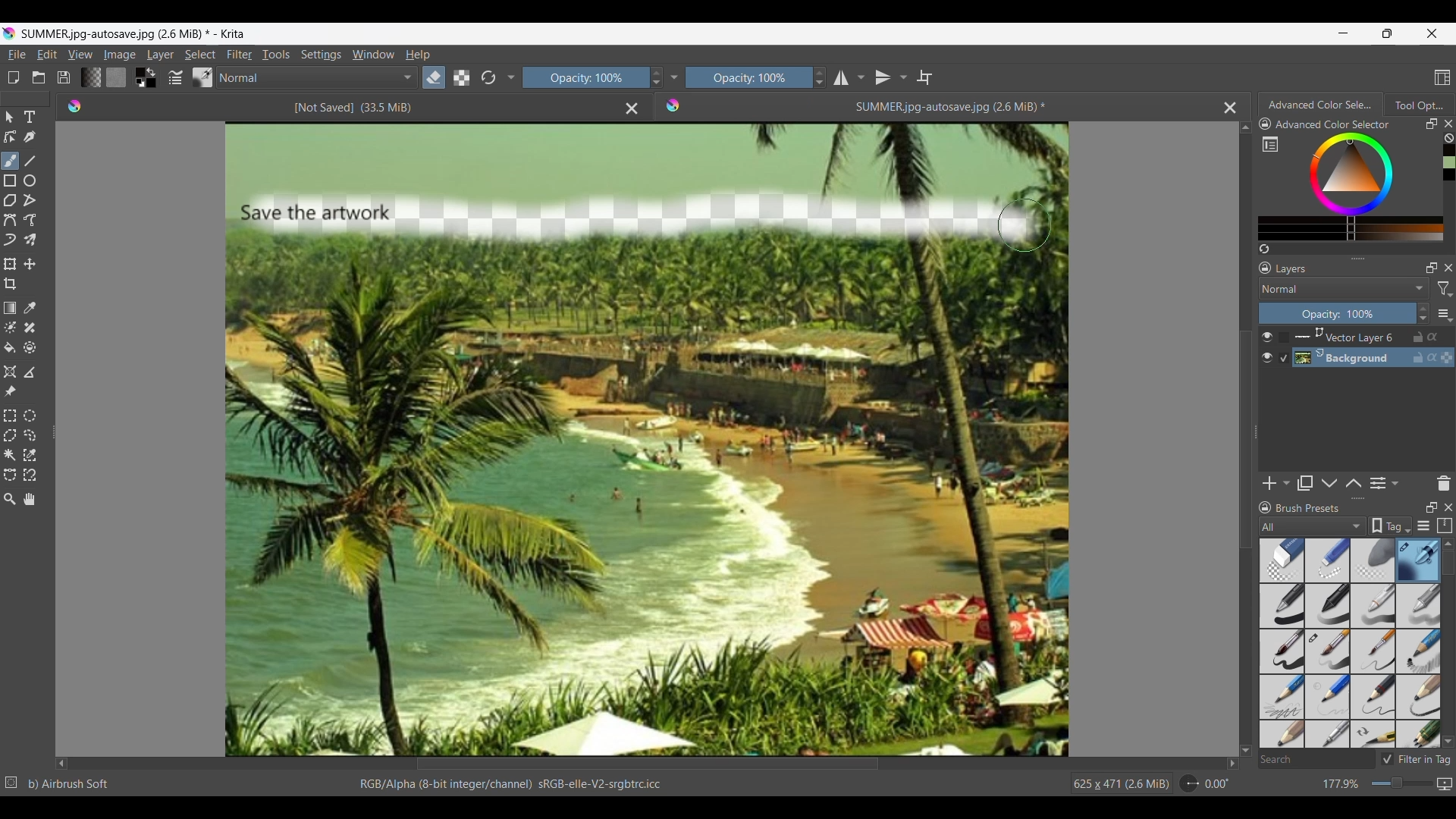  I want to click on Vector layer 6, so click(1374, 337).